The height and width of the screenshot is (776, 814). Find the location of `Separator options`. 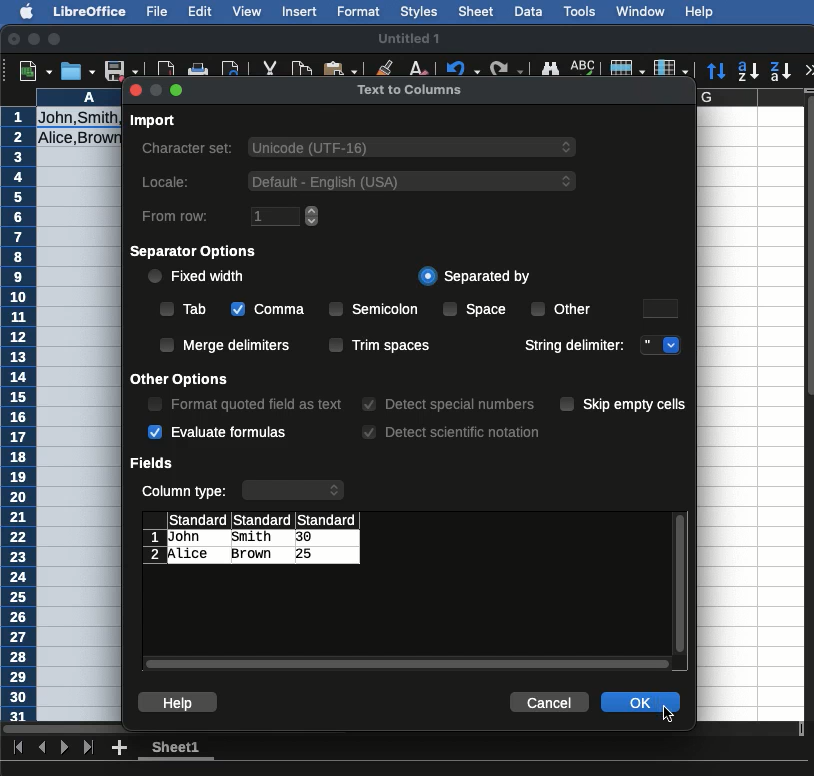

Separator options is located at coordinates (197, 252).